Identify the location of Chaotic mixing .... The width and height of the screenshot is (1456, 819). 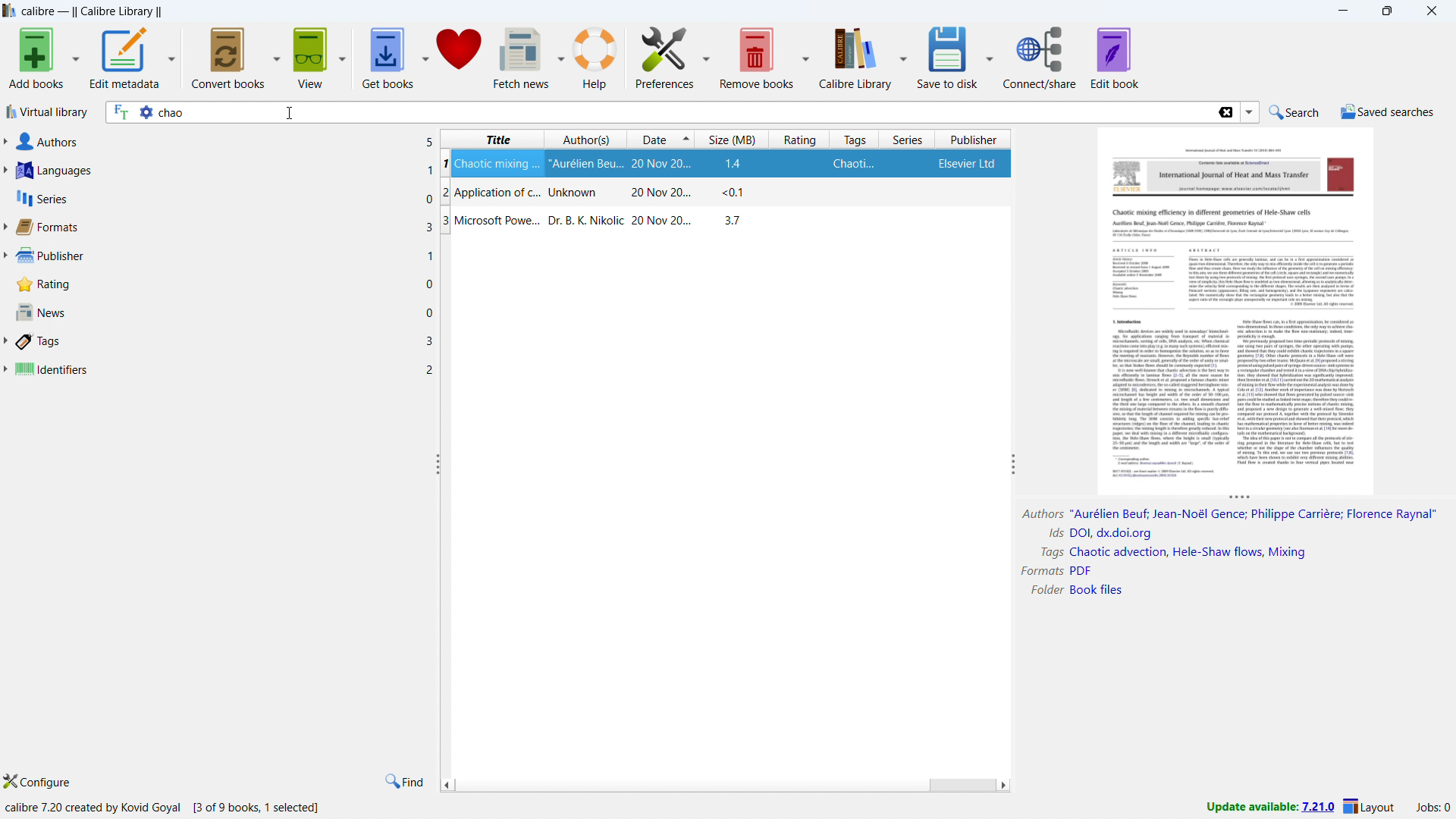
(723, 162).